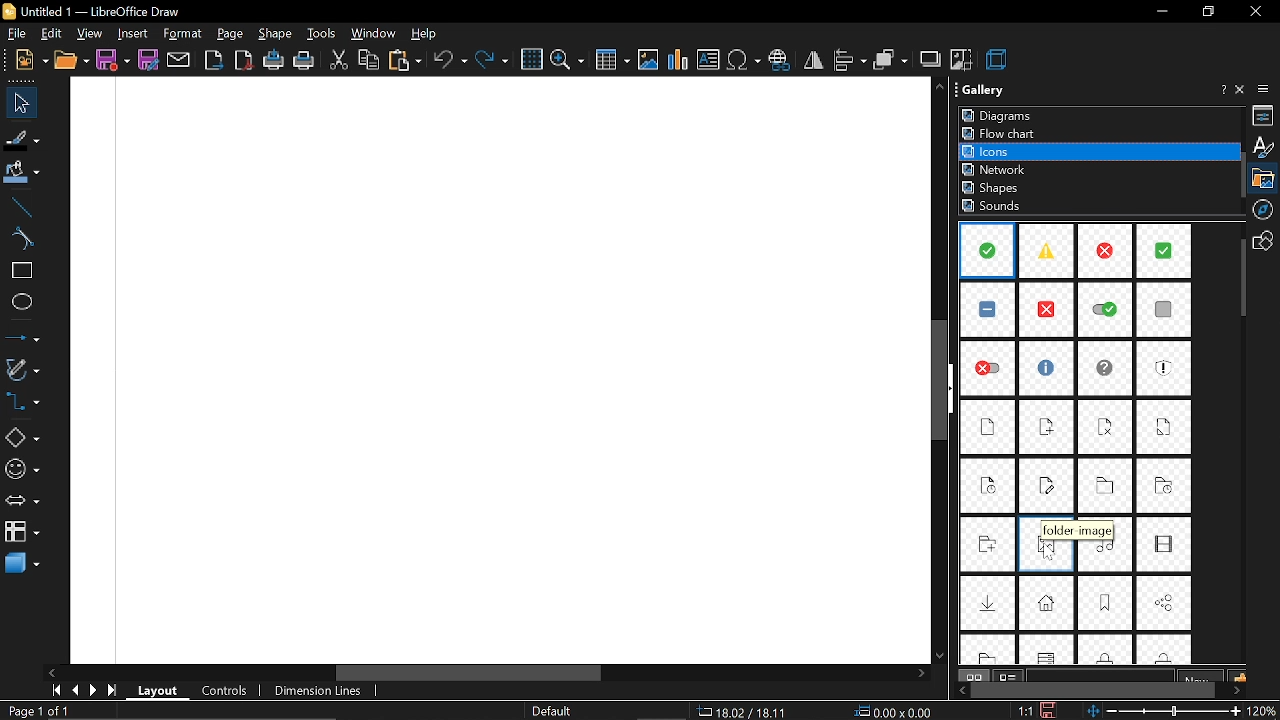 The width and height of the screenshot is (1280, 720). What do you see at coordinates (1078, 445) in the screenshot?
I see `Items in icons` at bounding box center [1078, 445].